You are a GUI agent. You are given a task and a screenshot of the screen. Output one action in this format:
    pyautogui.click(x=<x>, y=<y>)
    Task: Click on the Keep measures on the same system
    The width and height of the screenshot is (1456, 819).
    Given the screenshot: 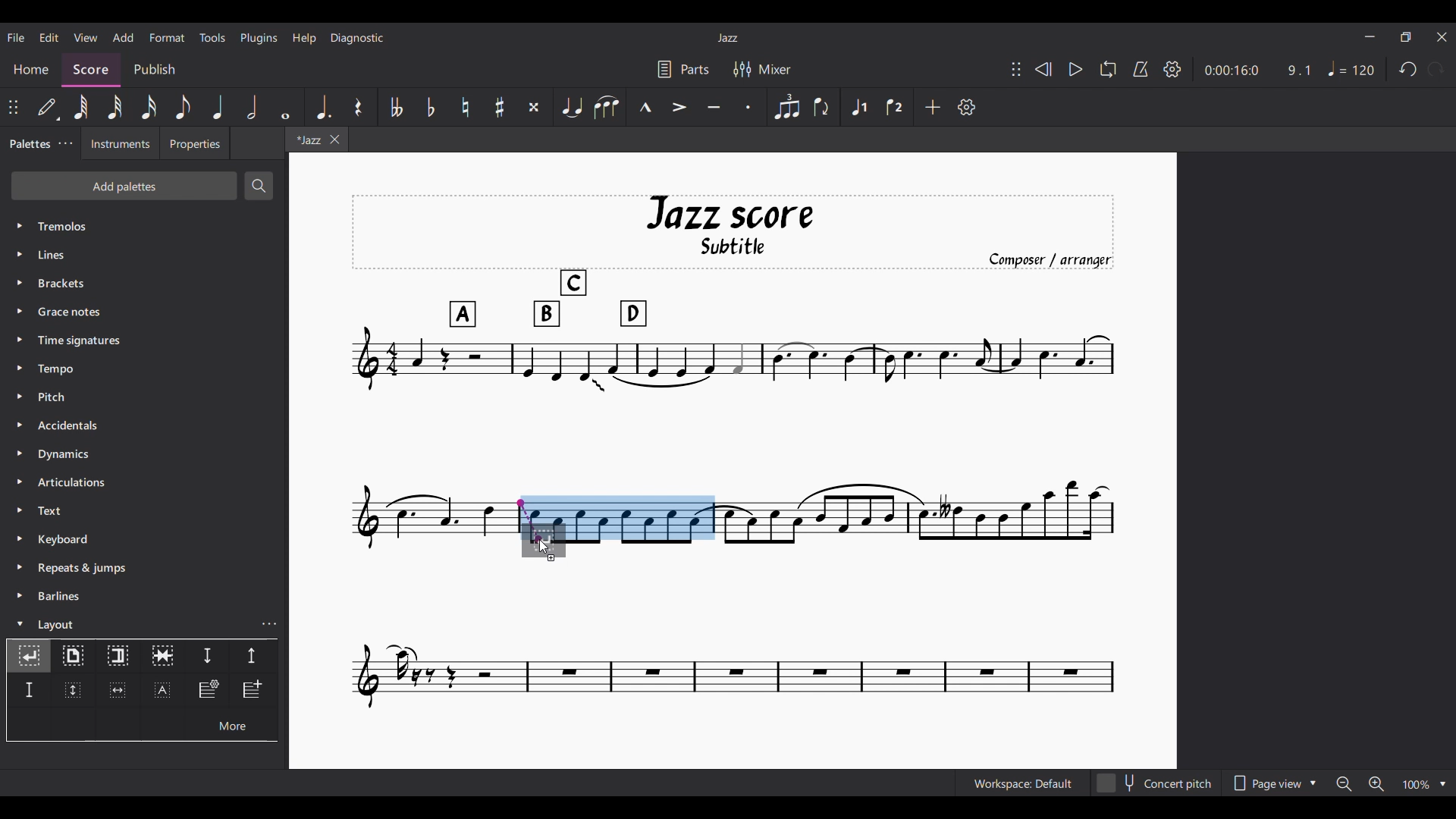 What is the action you would take?
    pyautogui.click(x=162, y=657)
    